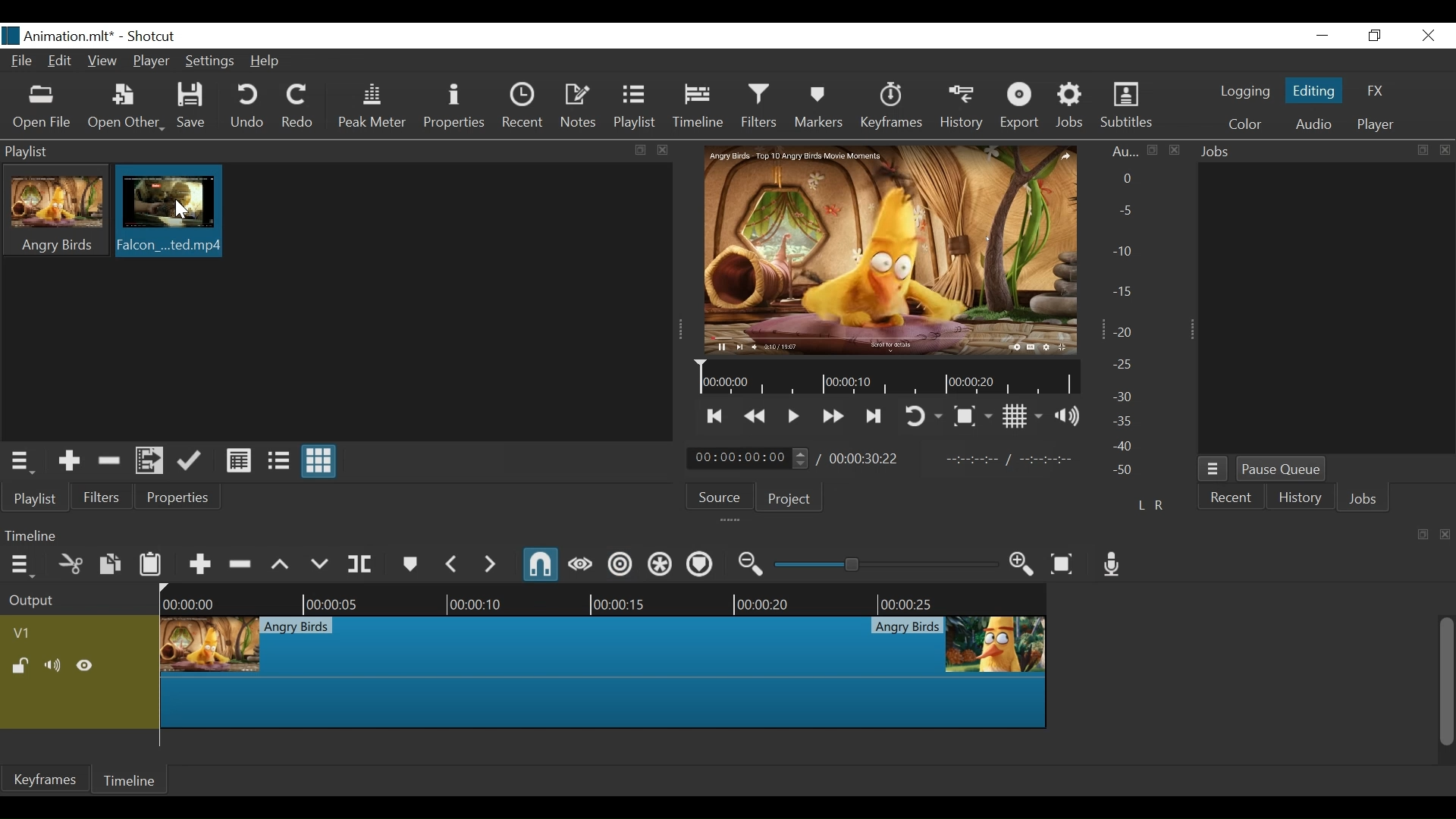  I want to click on Current Position, so click(748, 459).